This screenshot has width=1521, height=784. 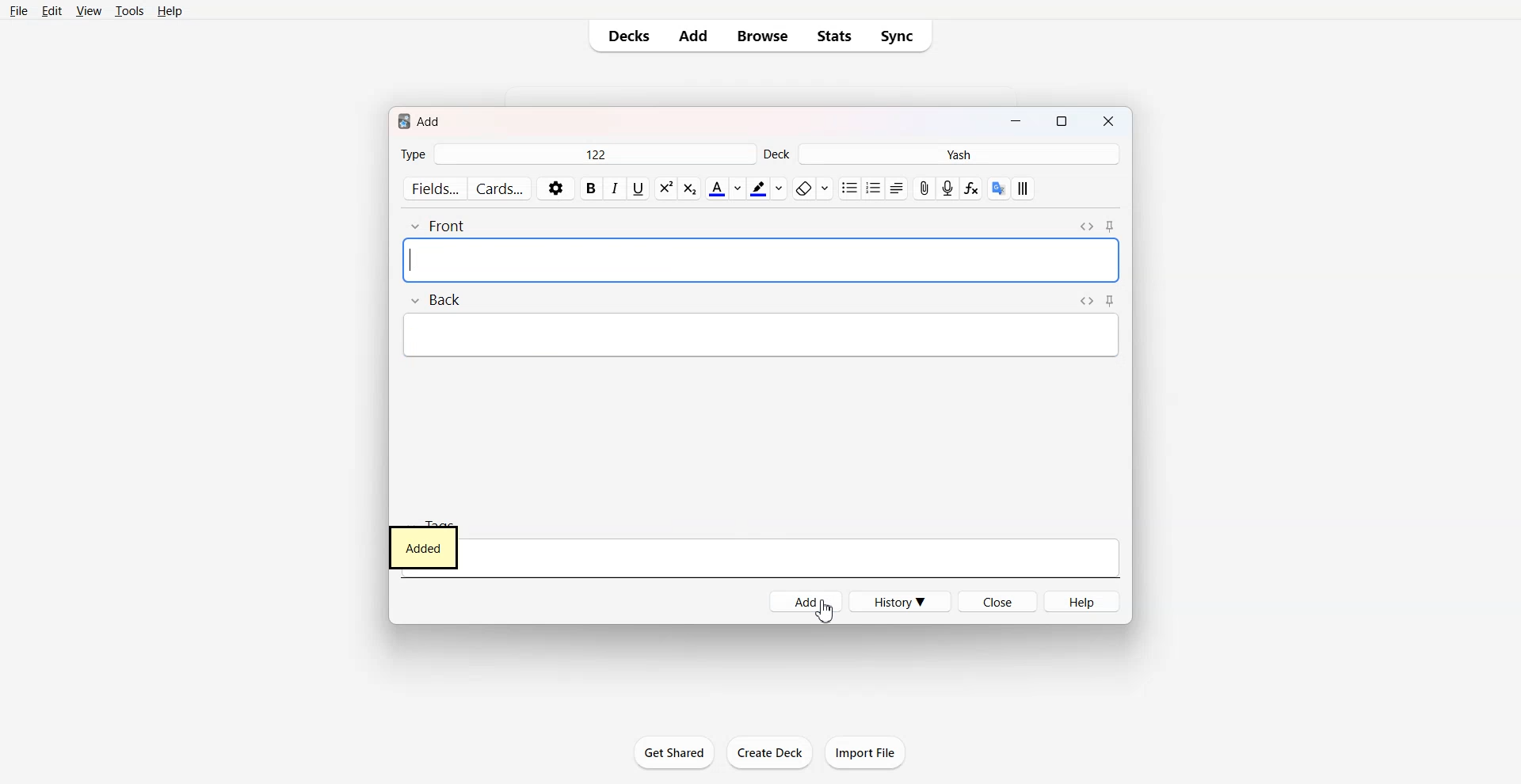 What do you see at coordinates (760, 36) in the screenshot?
I see `Browse` at bounding box center [760, 36].